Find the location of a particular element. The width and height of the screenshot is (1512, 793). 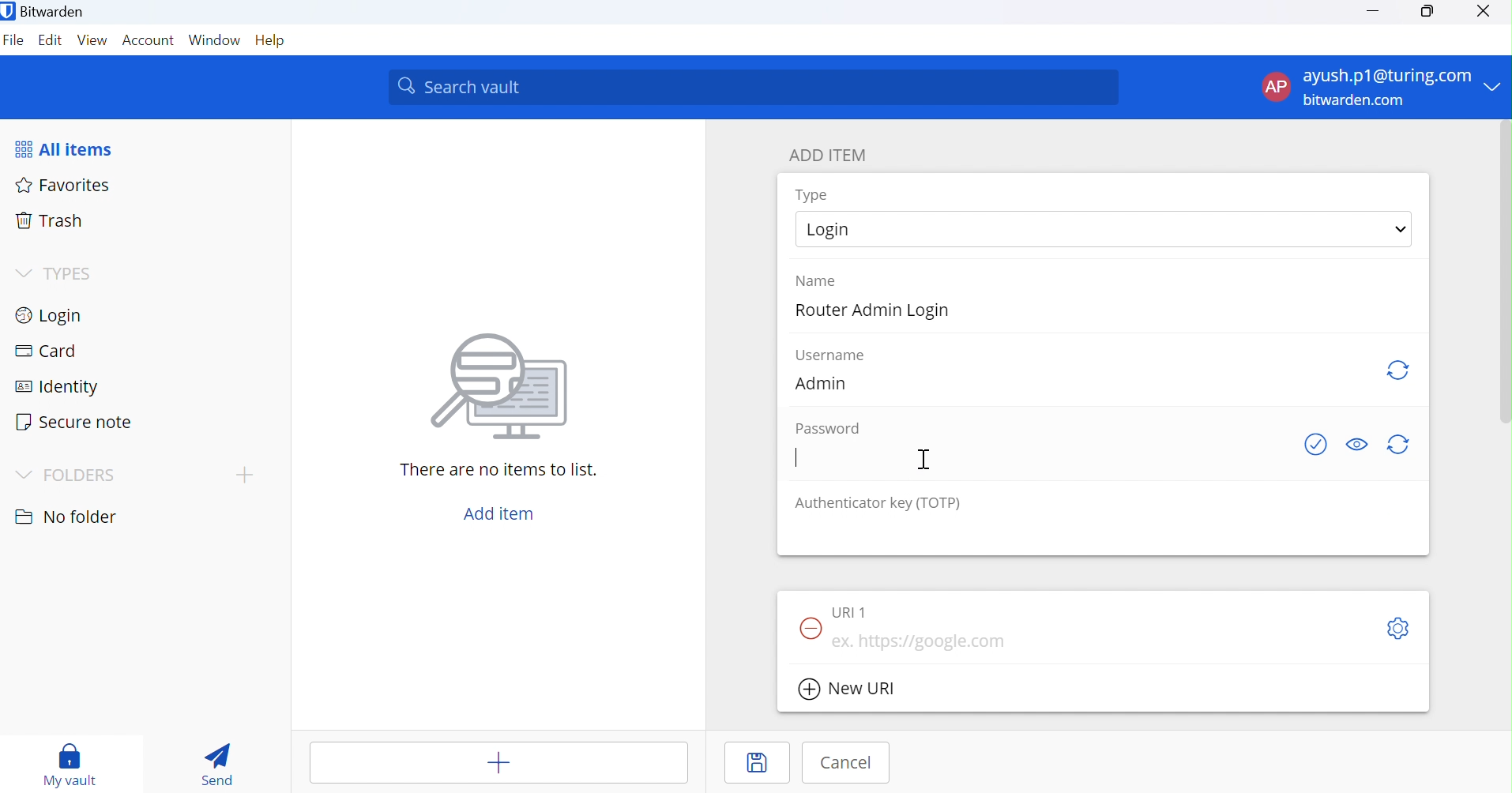

Check if password has been exposed is located at coordinates (1309, 445).